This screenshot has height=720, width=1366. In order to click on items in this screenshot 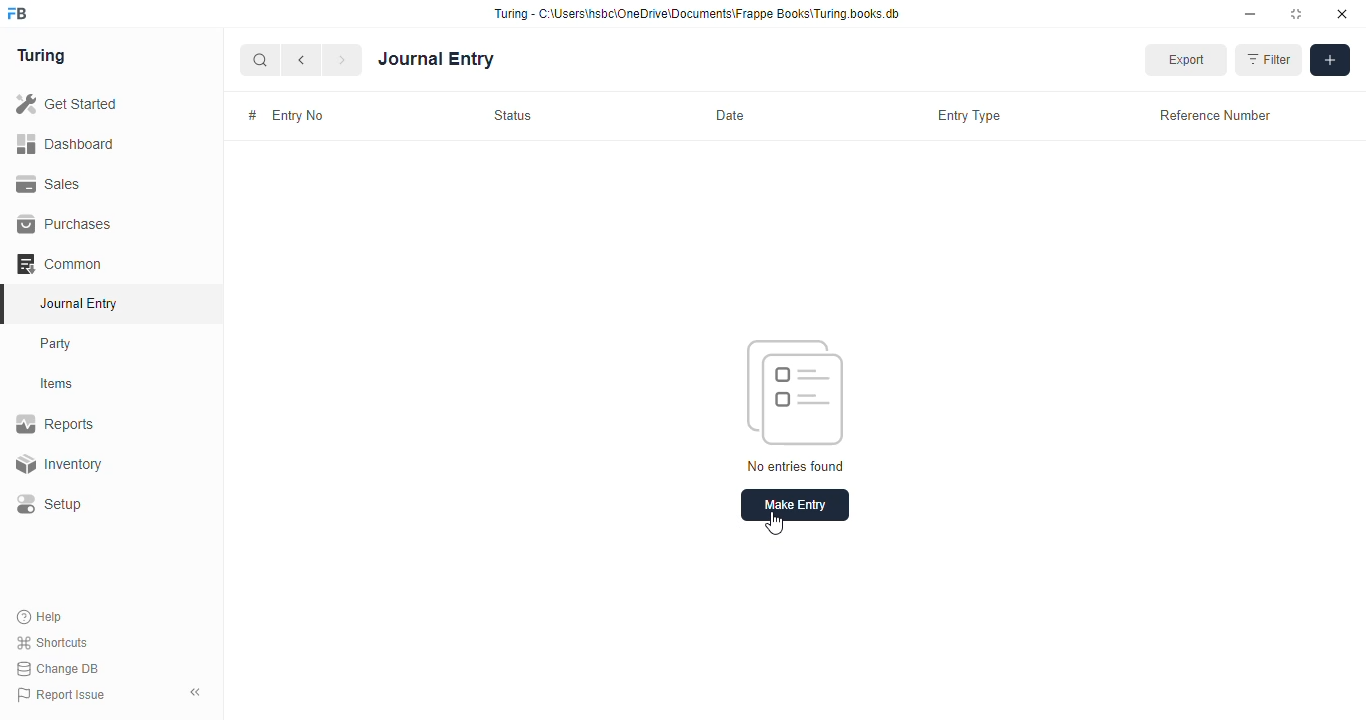, I will do `click(59, 384)`.